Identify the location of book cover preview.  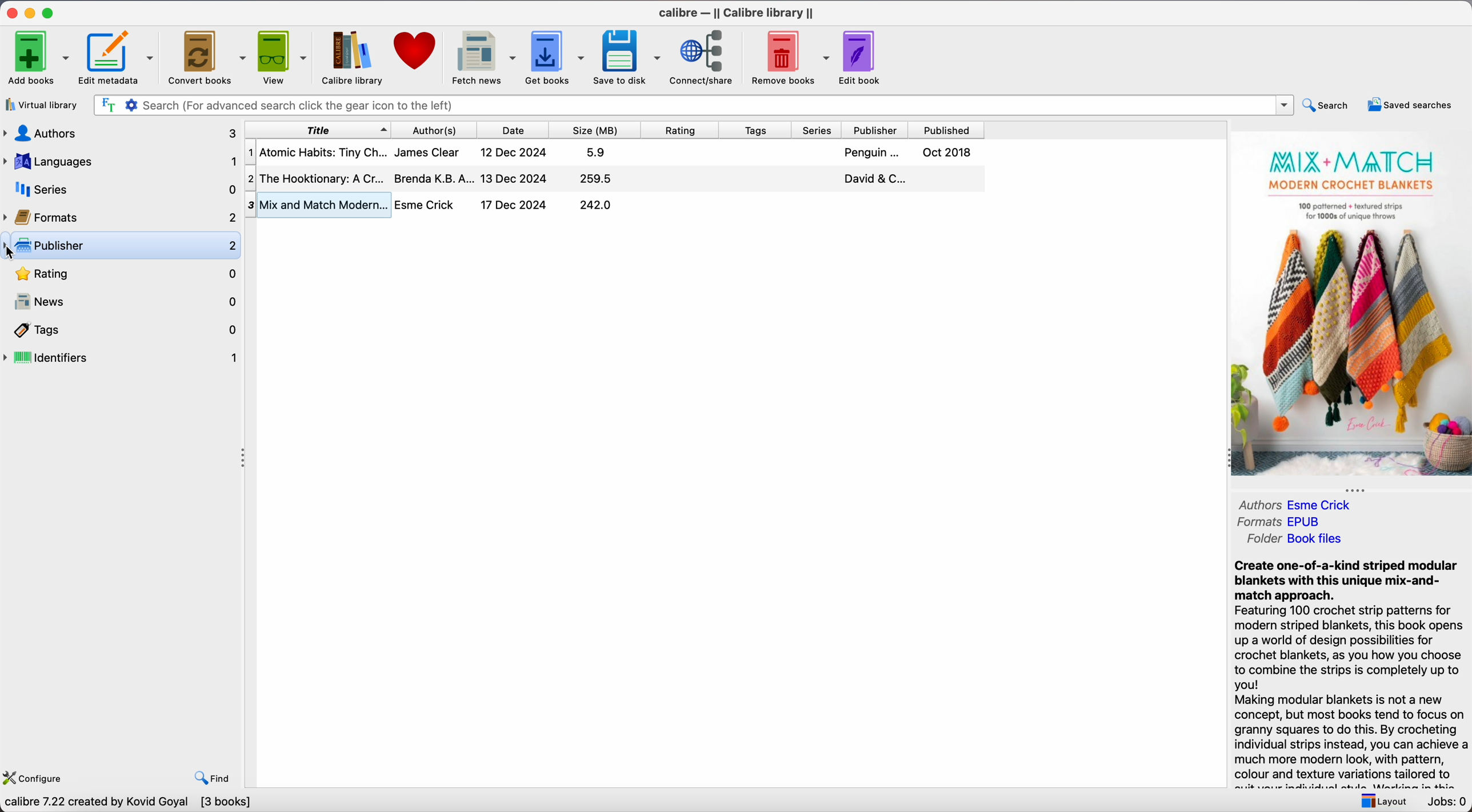
(1351, 305).